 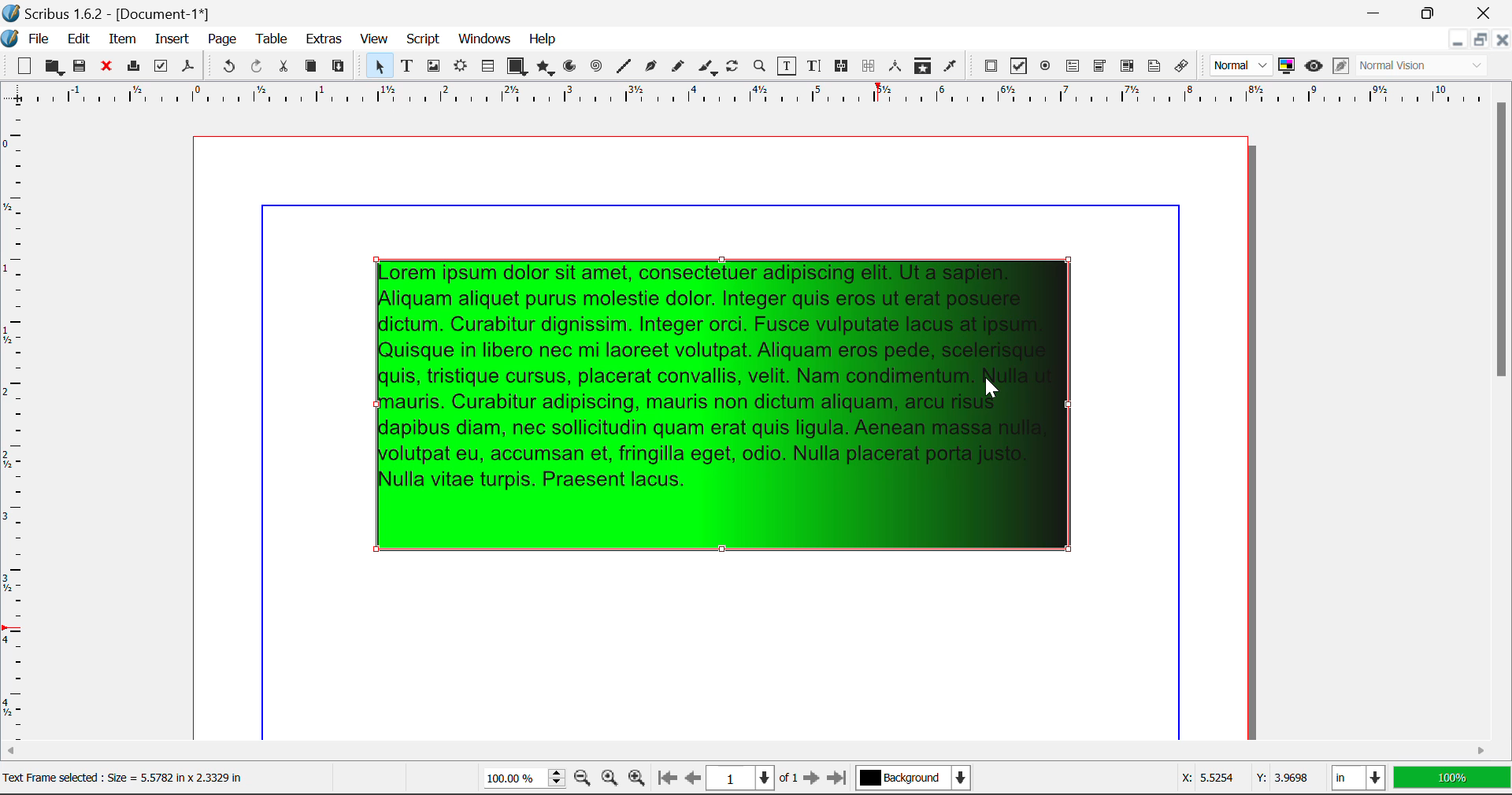 I want to click on PDF Combo Box, so click(x=1099, y=68).